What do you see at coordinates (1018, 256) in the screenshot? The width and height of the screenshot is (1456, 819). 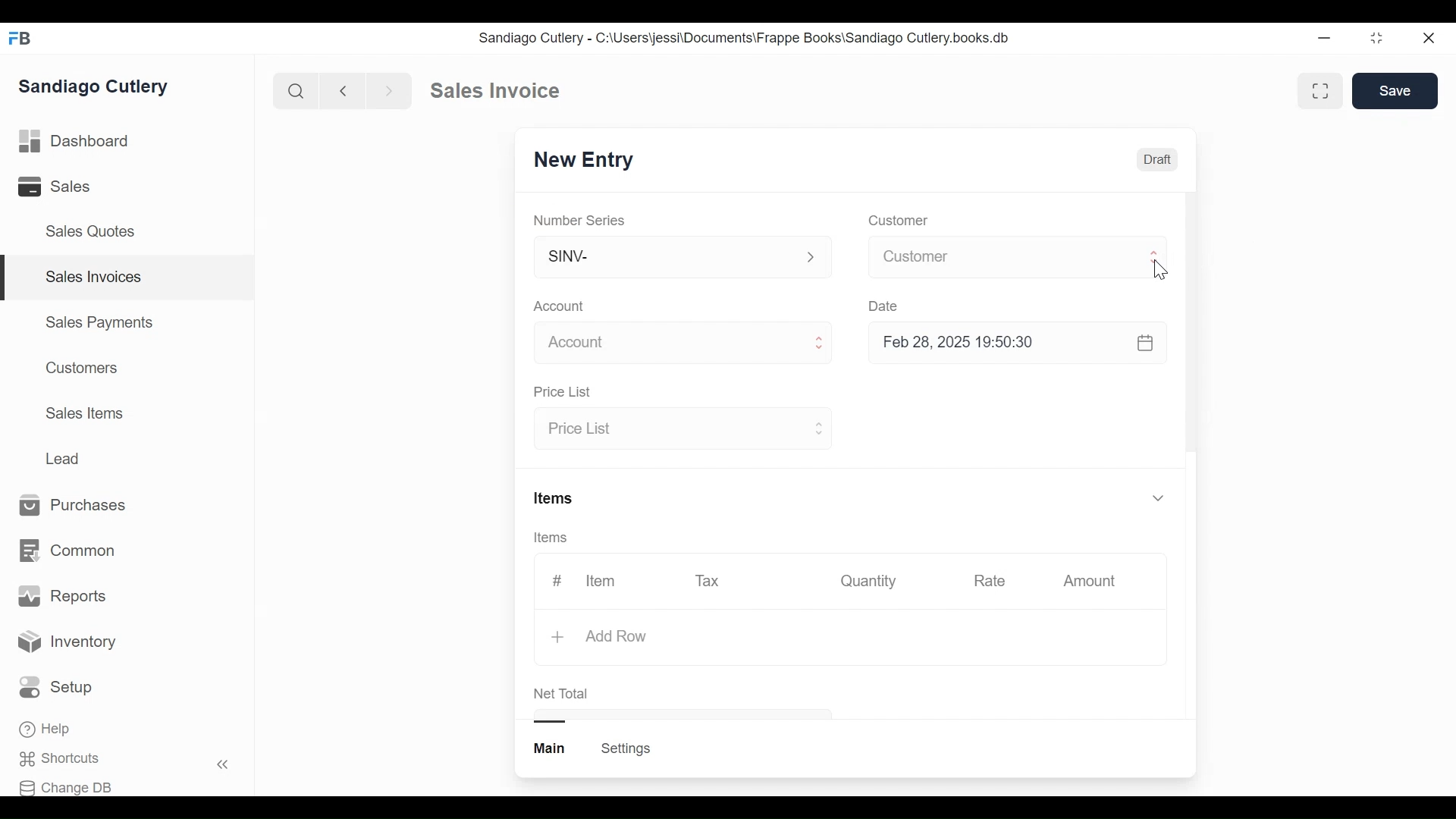 I see `Customer` at bounding box center [1018, 256].